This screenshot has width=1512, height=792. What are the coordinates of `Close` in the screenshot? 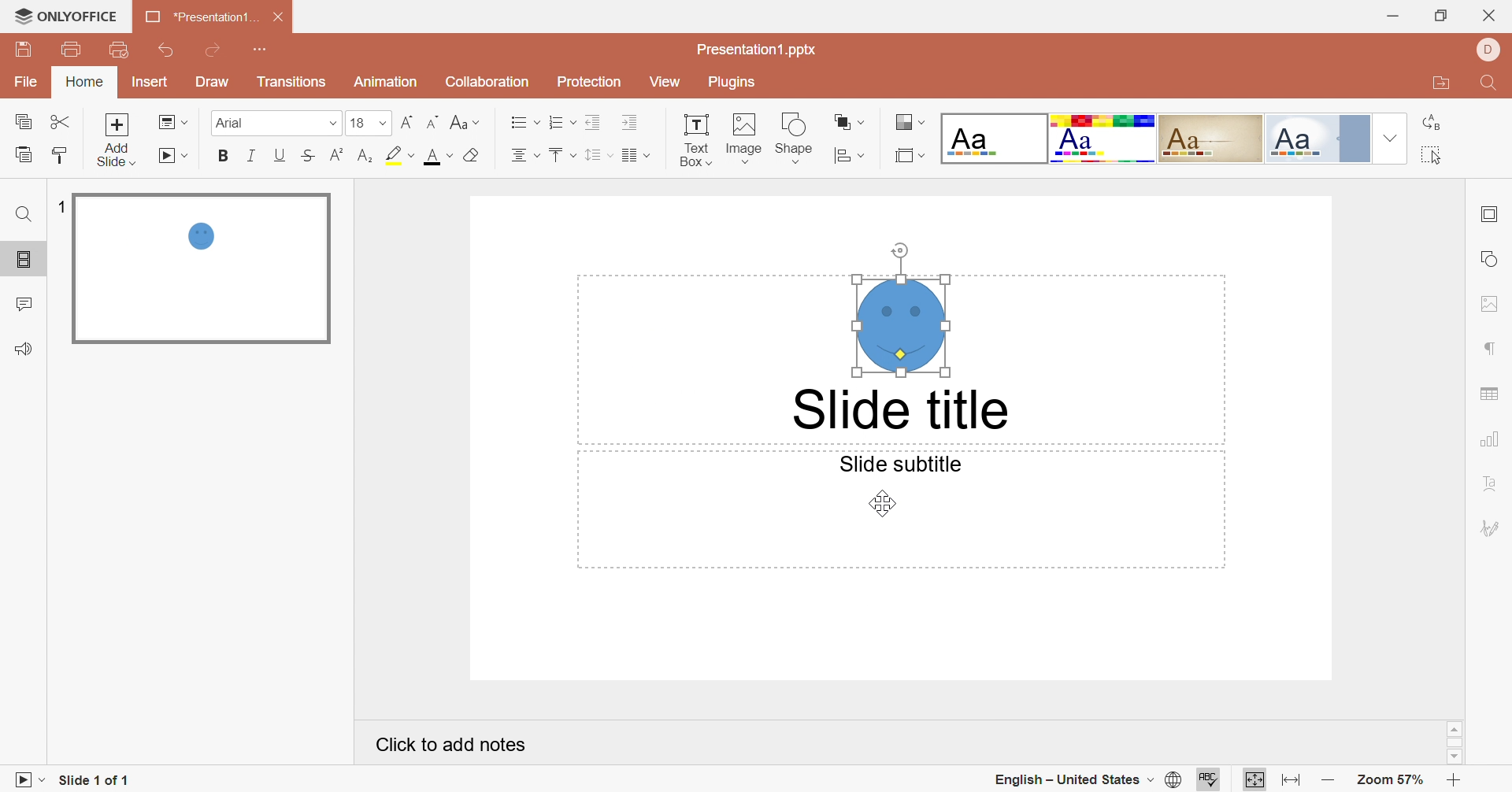 It's located at (1491, 15).